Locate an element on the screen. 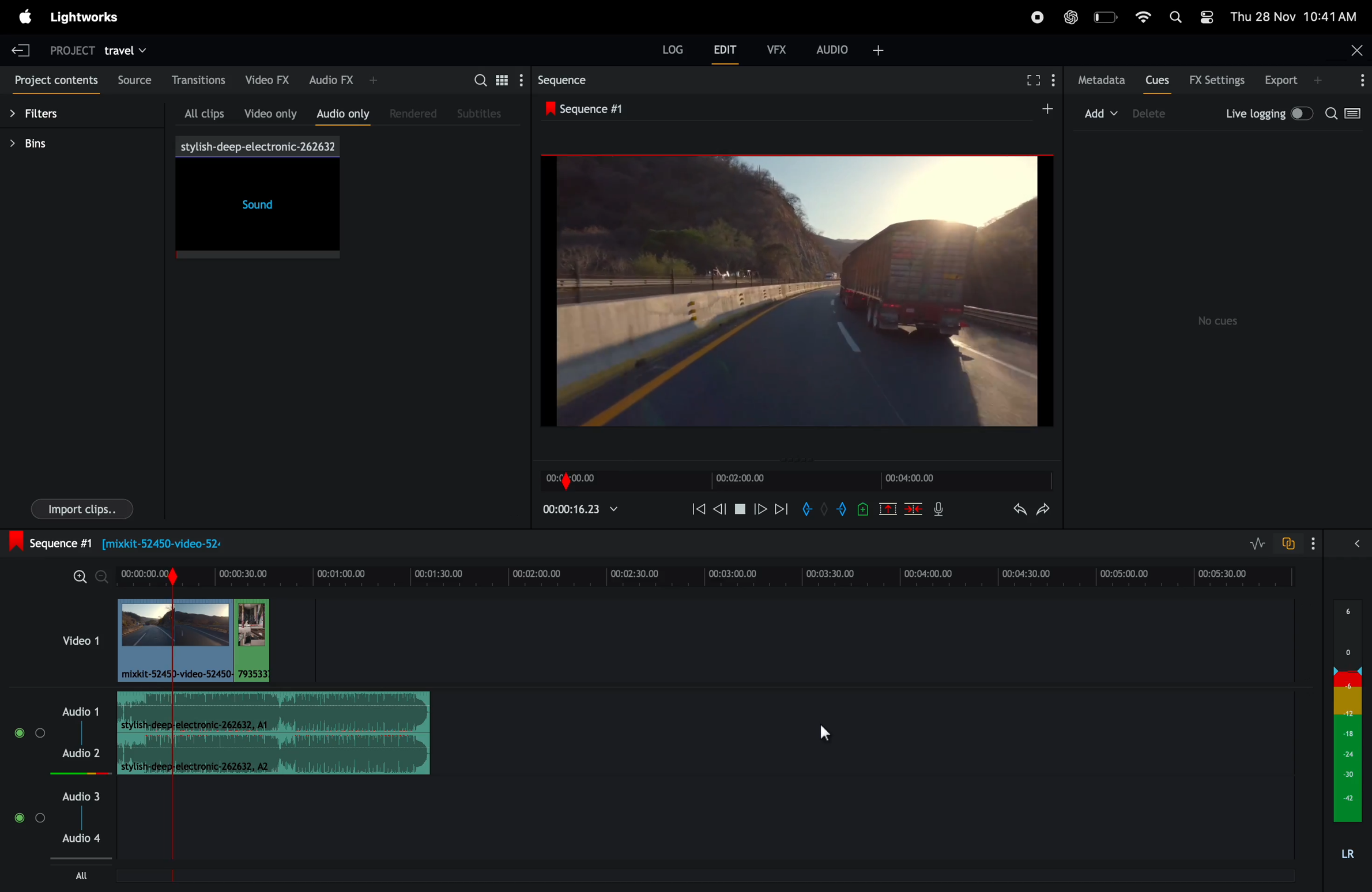  record is located at coordinates (1034, 16).